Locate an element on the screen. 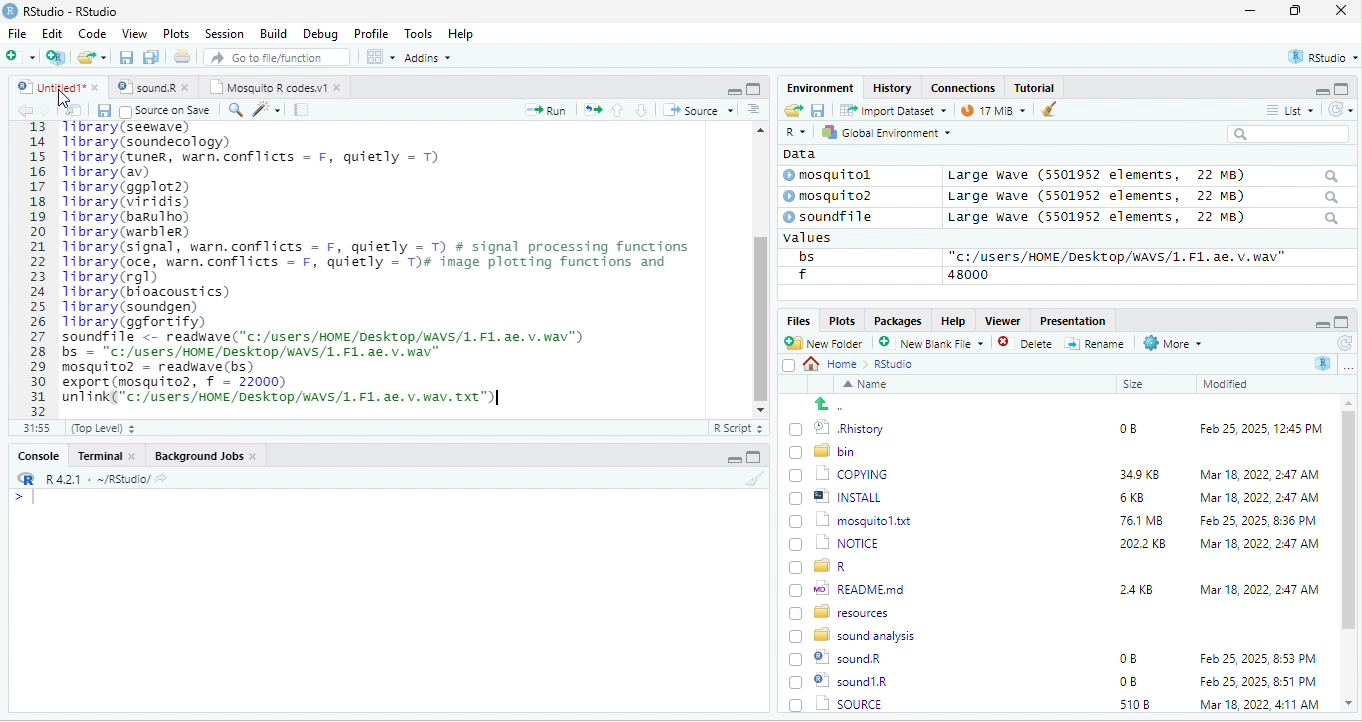  Debug is located at coordinates (320, 33).